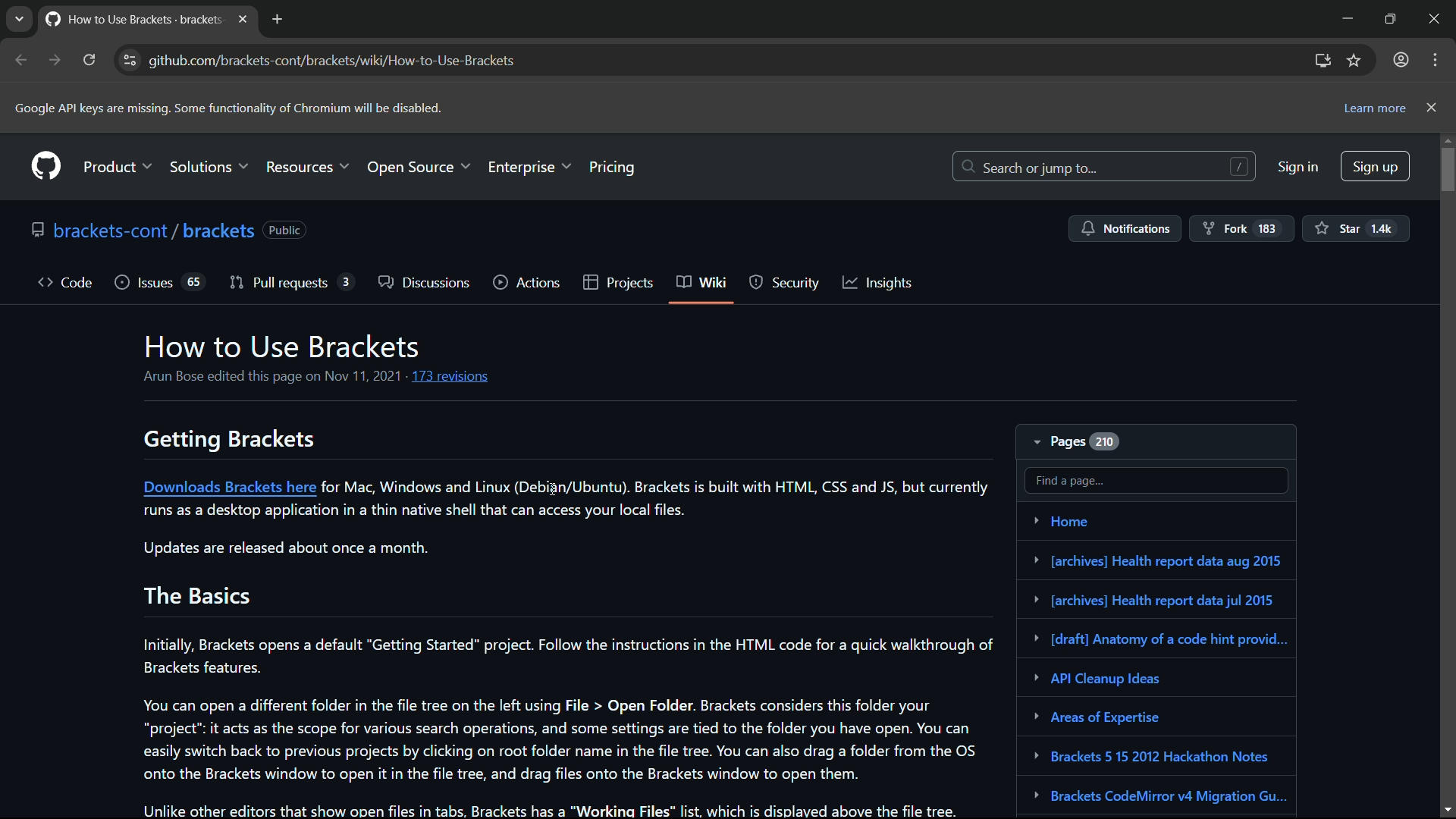  What do you see at coordinates (131, 17) in the screenshot?
I see `tab name` at bounding box center [131, 17].